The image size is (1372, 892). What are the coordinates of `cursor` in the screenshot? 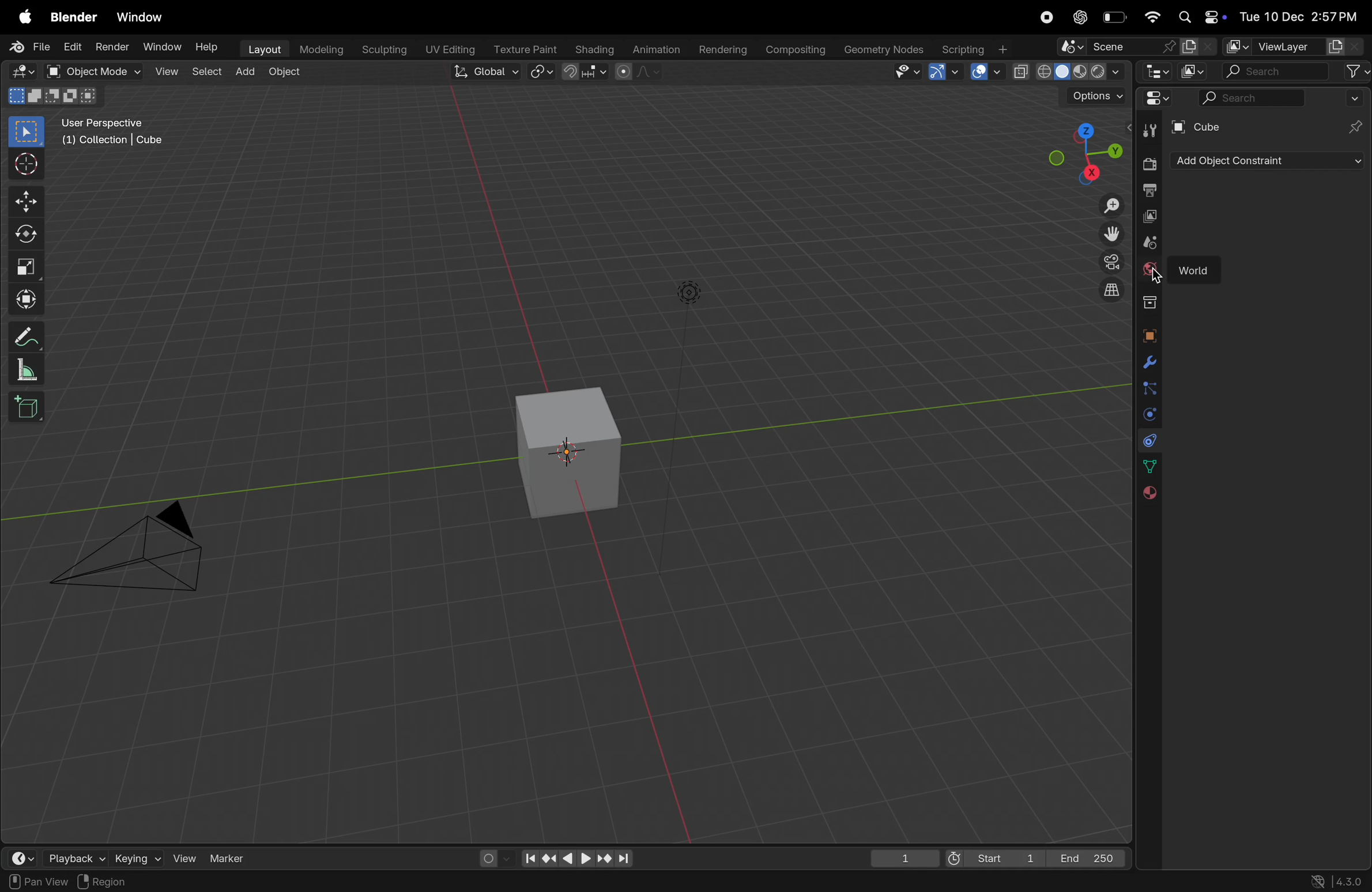 It's located at (1160, 278).